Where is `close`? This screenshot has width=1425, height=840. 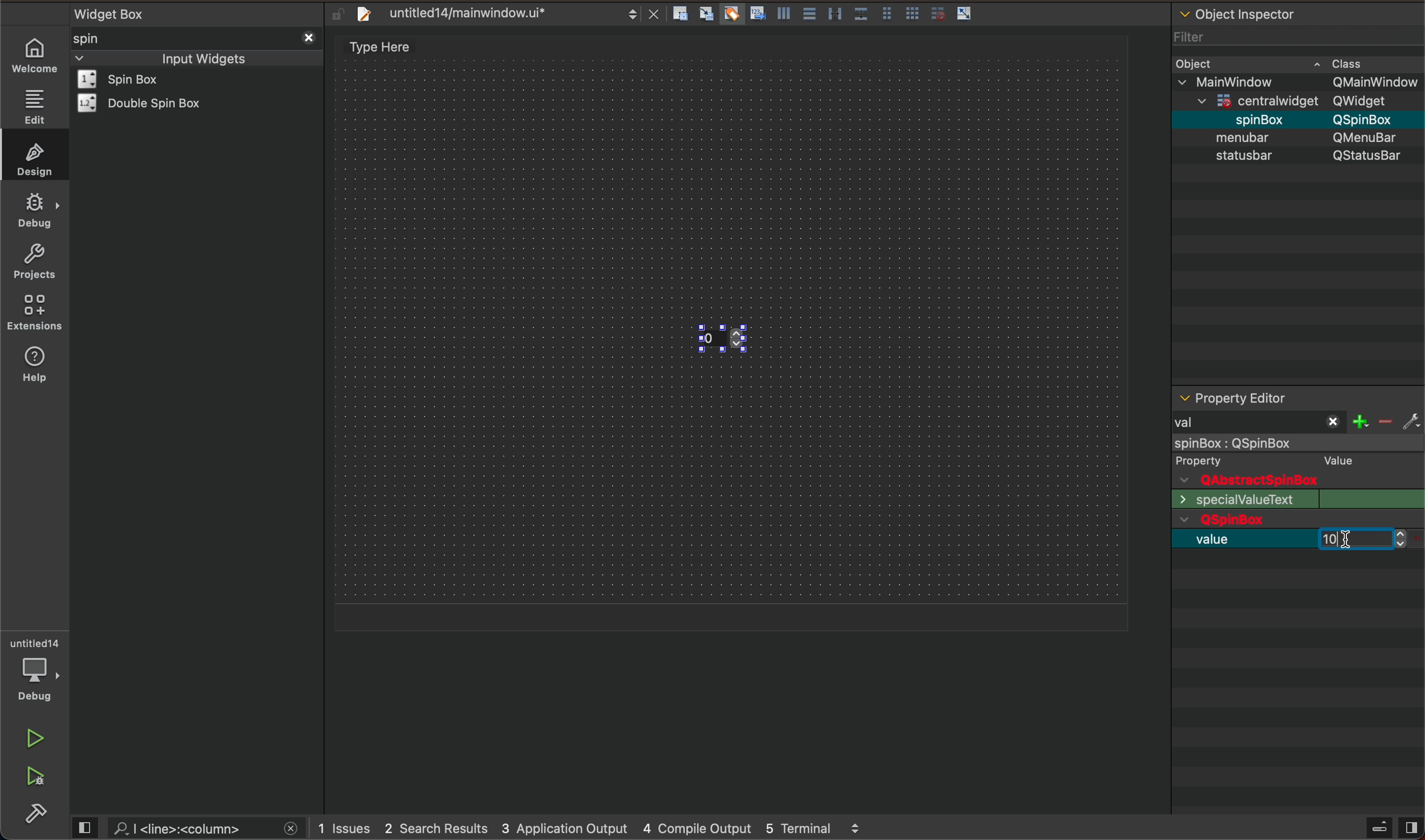 close is located at coordinates (307, 36).